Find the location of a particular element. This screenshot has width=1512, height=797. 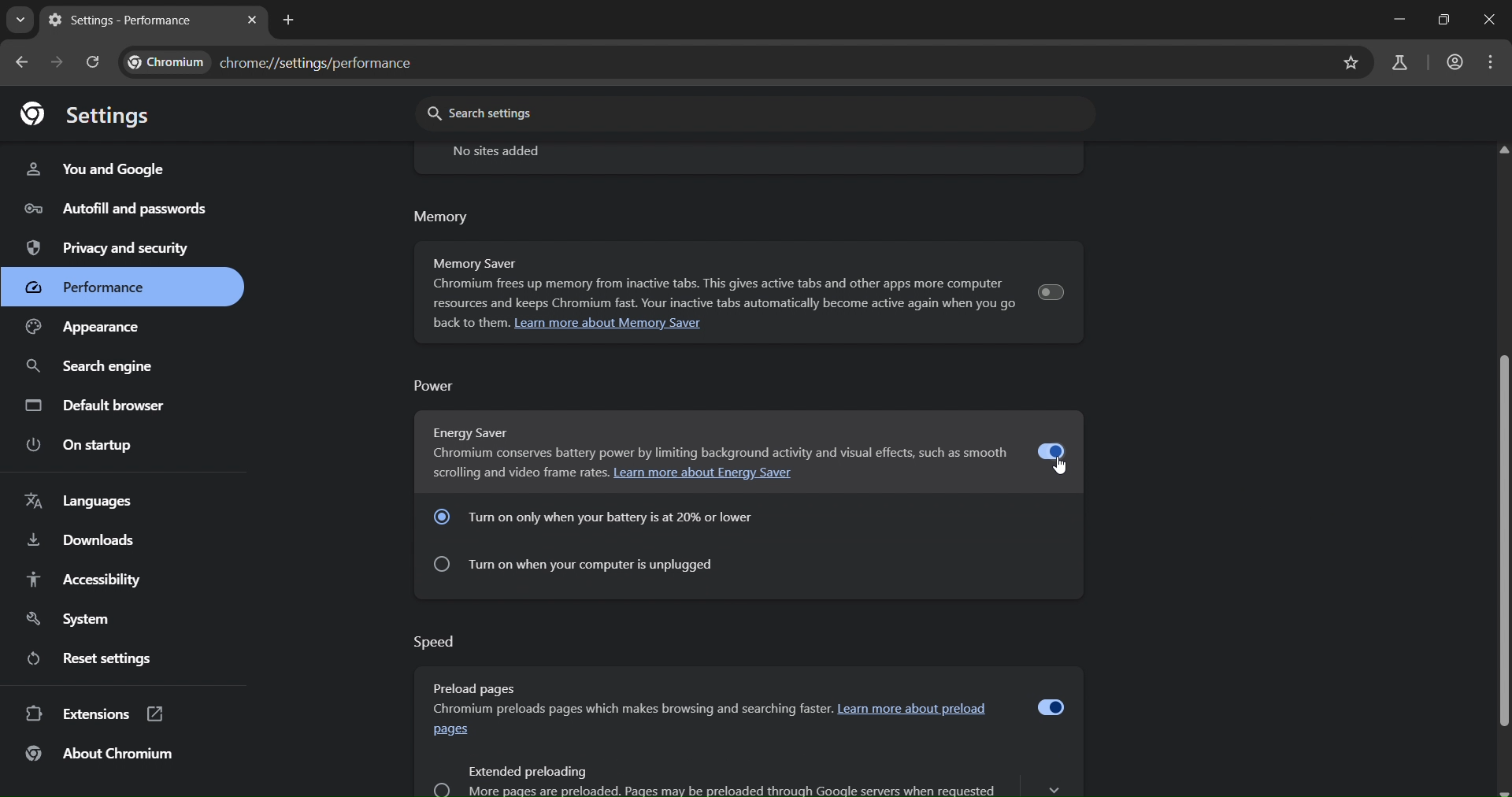

turn on only your battery is at 20% or lower is located at coordinates (601, 517).